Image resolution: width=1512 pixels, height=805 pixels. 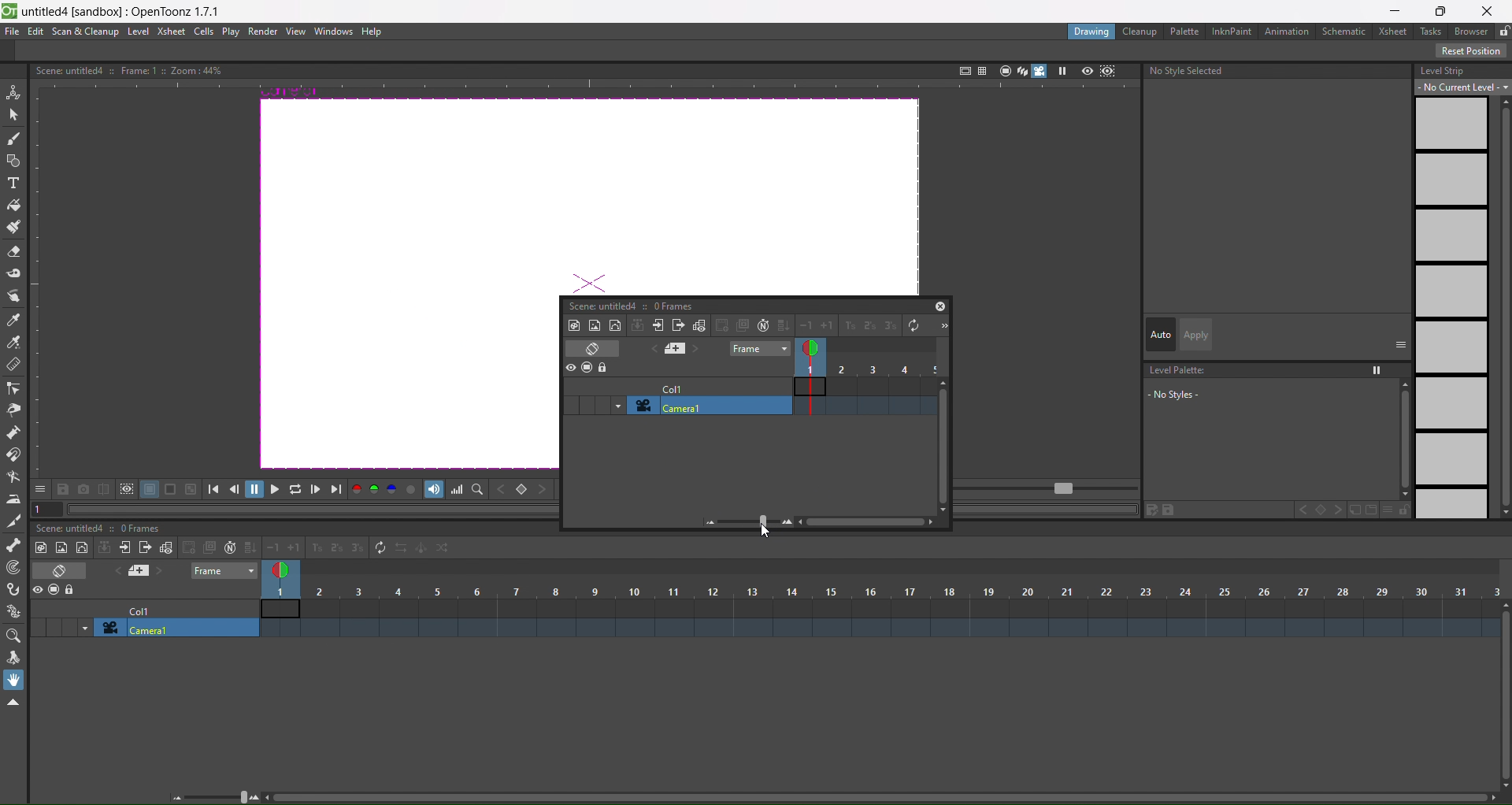 What do you see at coordinates (458, 490) in the screenshot?
I see `histogram` at bounding box center [458, 490].